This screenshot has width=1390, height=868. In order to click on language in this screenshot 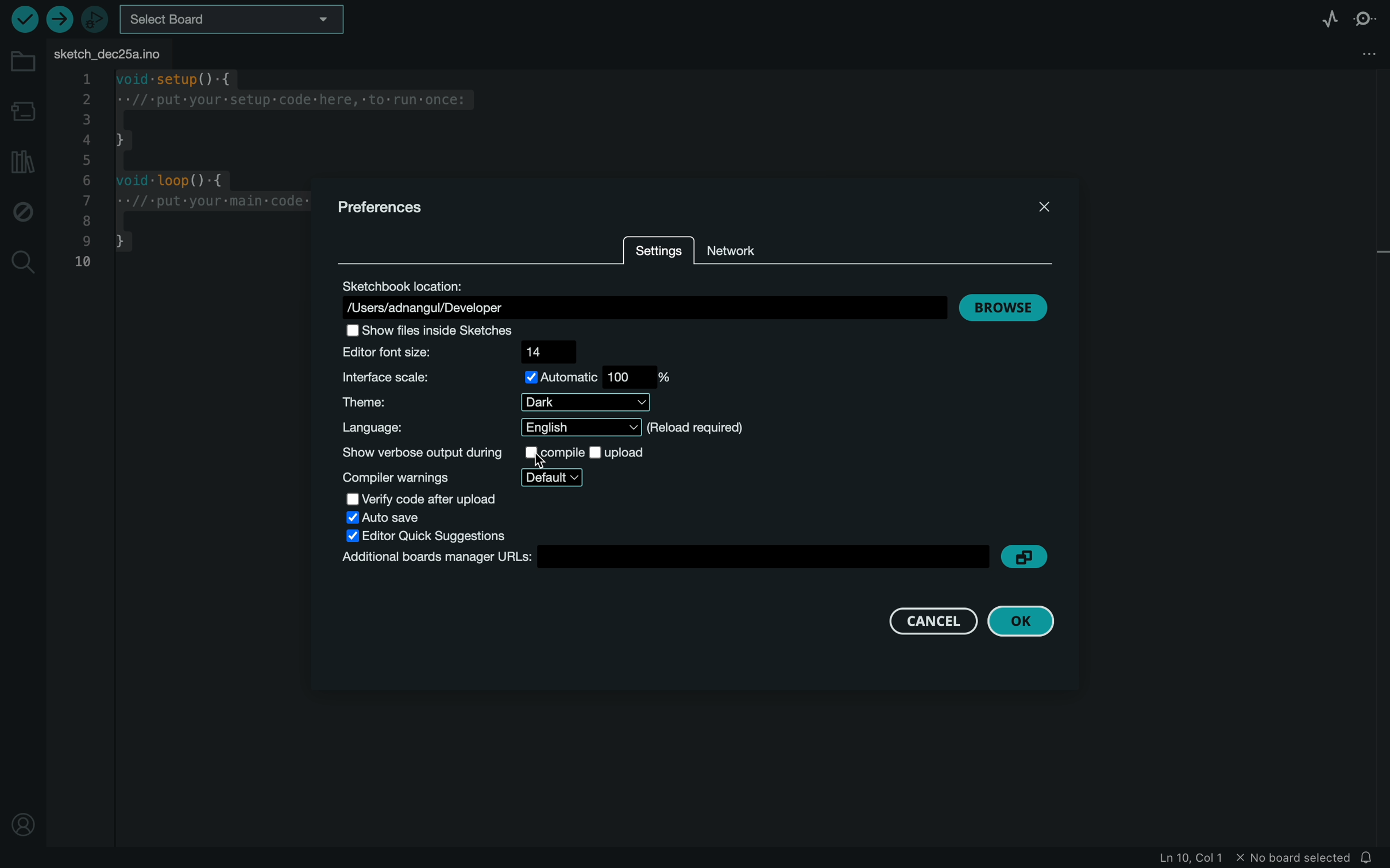, I will do `click(543, 429)`.